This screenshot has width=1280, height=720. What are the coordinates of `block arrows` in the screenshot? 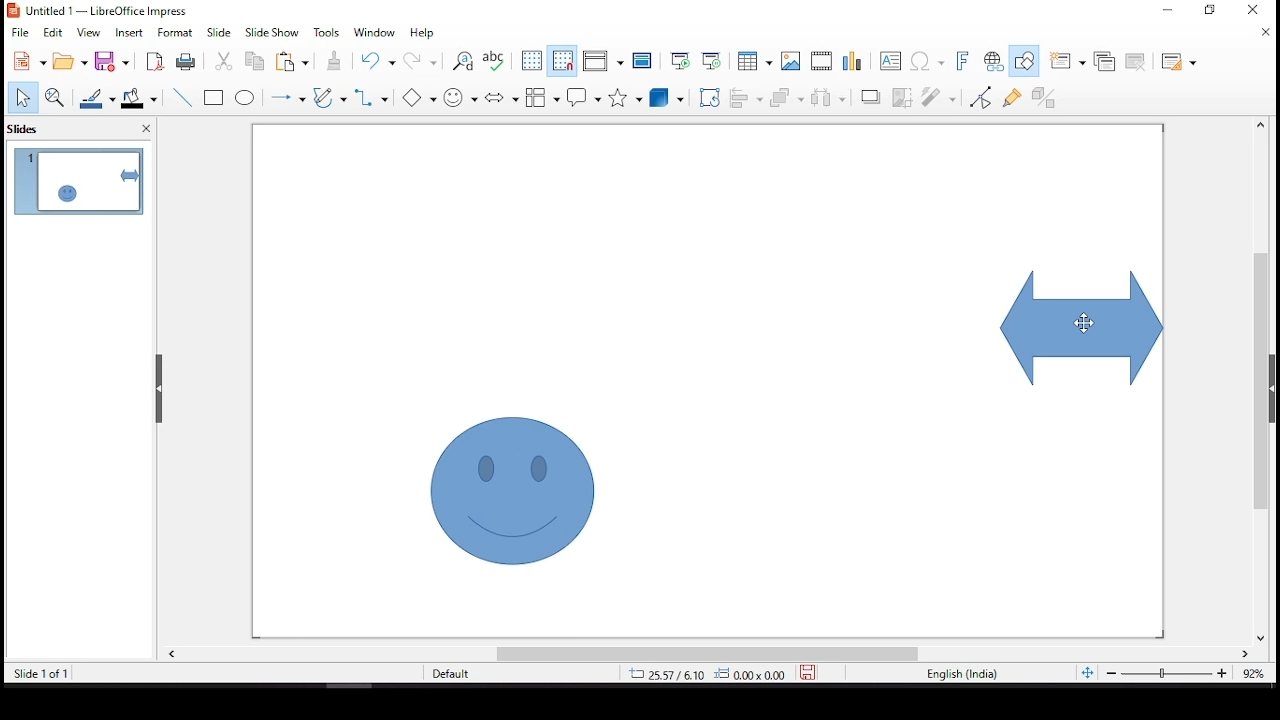 It's located at (502, 99).